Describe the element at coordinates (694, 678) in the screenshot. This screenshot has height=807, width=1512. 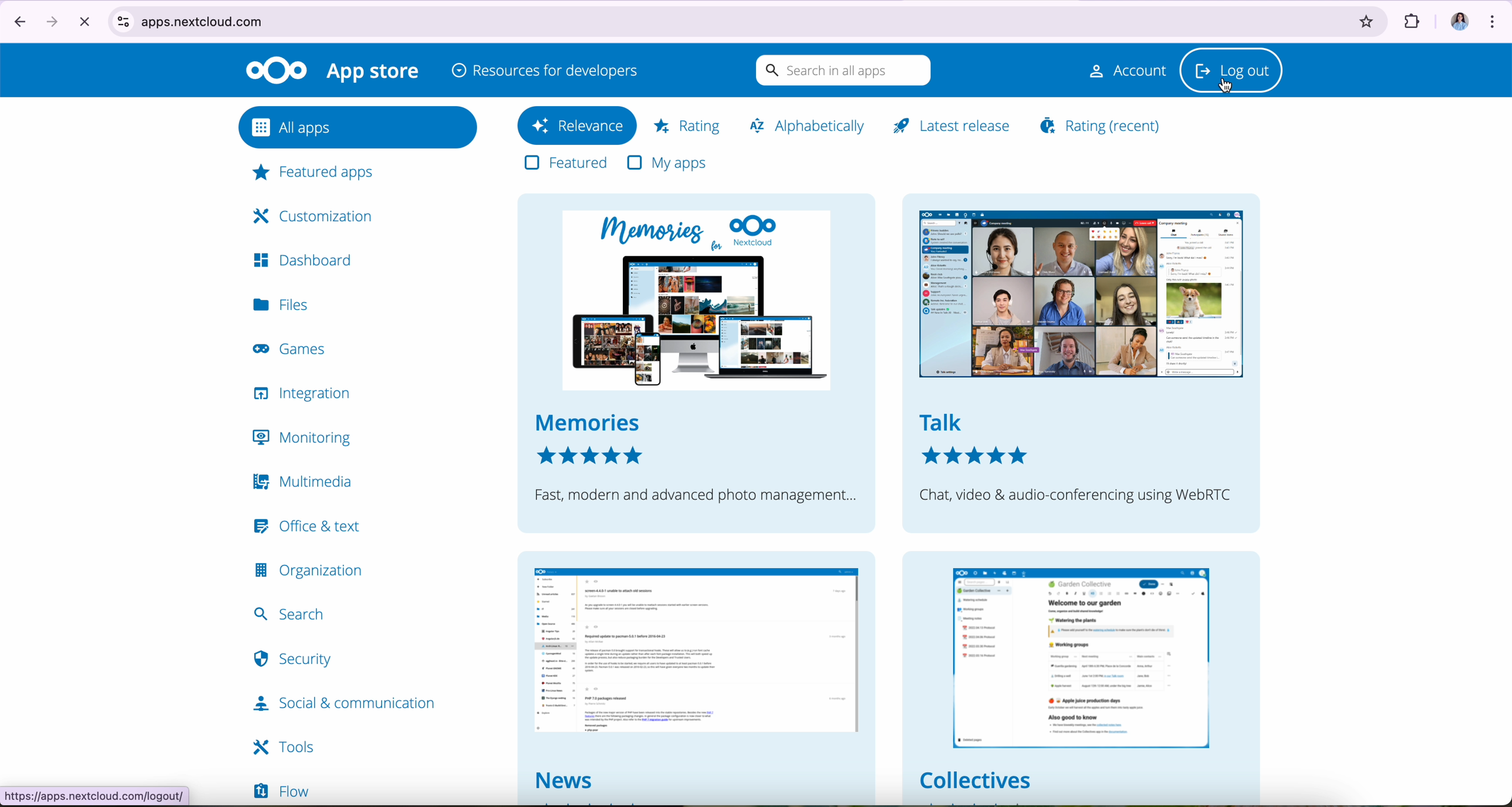
I see `news ` at that location.